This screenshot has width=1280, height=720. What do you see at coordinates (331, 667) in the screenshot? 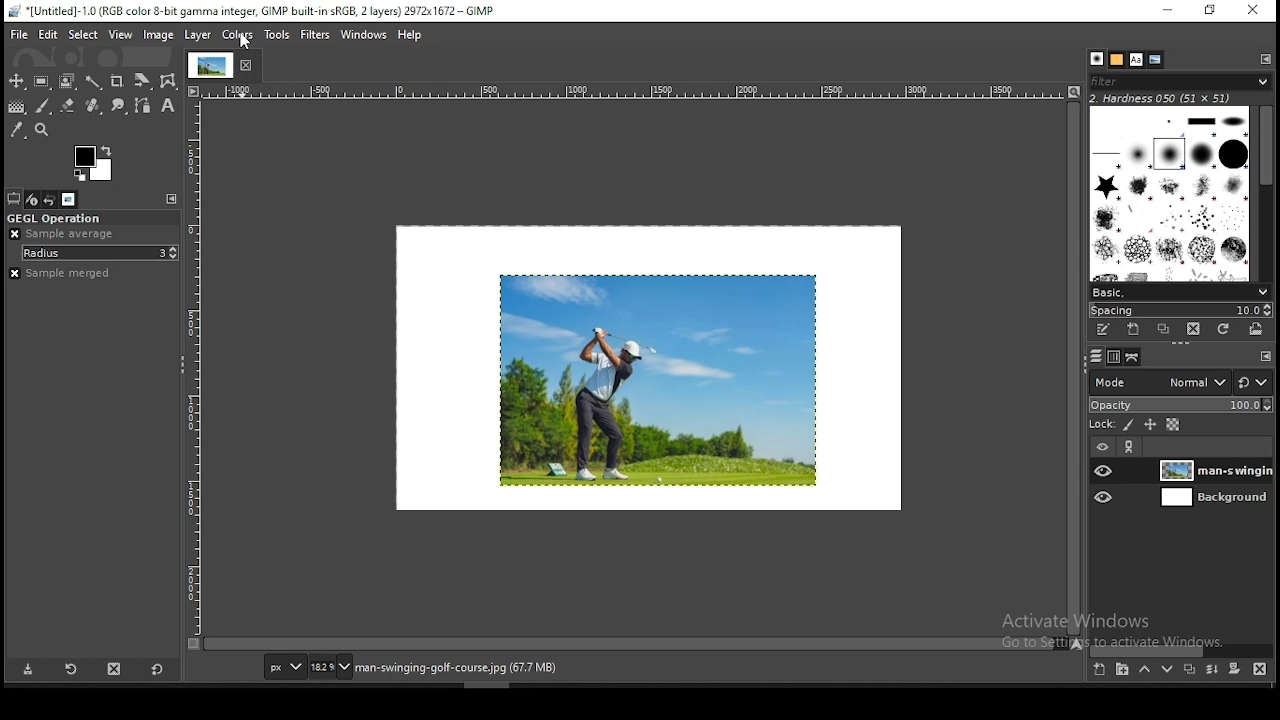
I see `zoom status` at bounding box center [331, 667].